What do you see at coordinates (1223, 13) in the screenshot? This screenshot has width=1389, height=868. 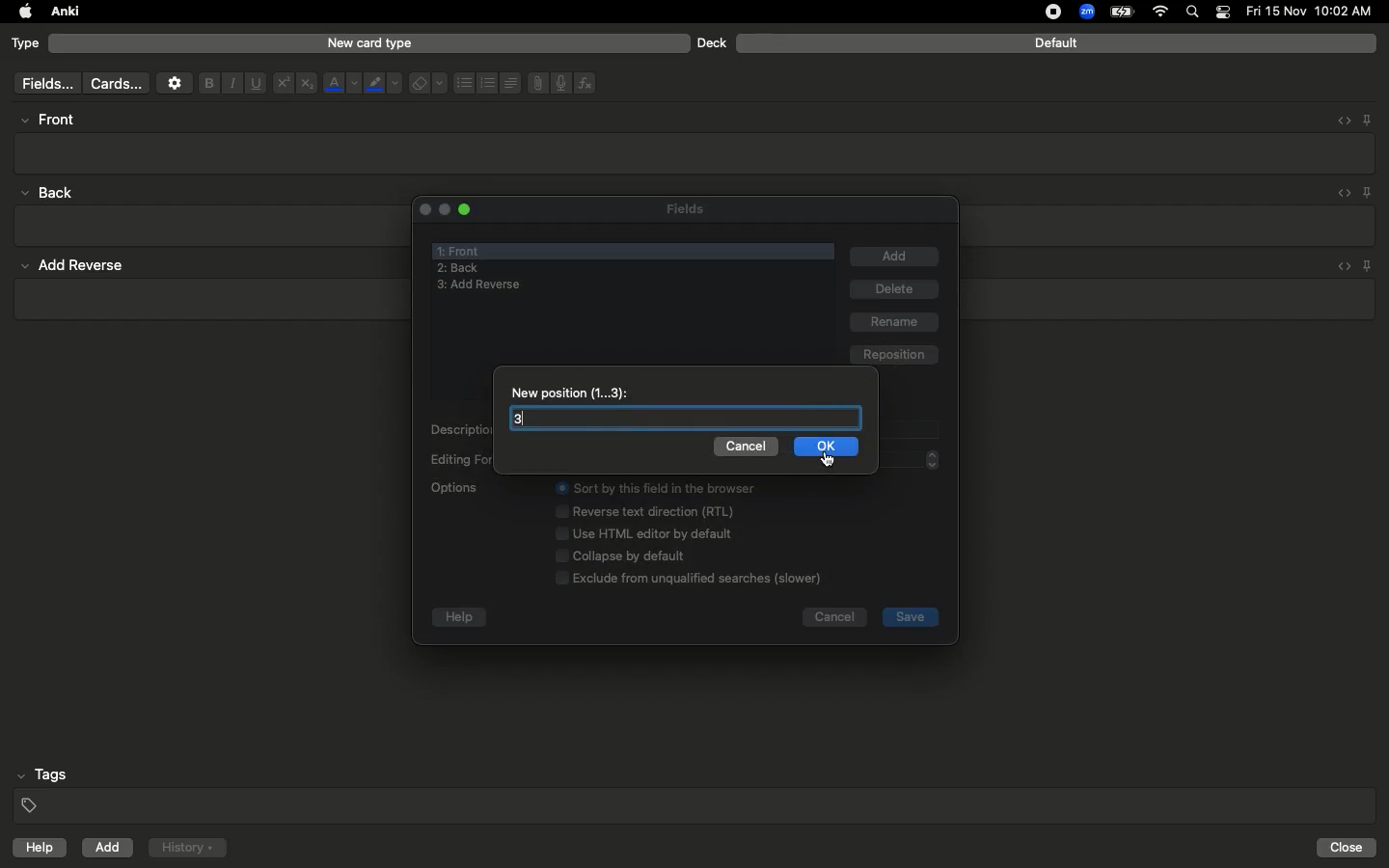 I see `Notification bar` at bounding box center [1223, 13].